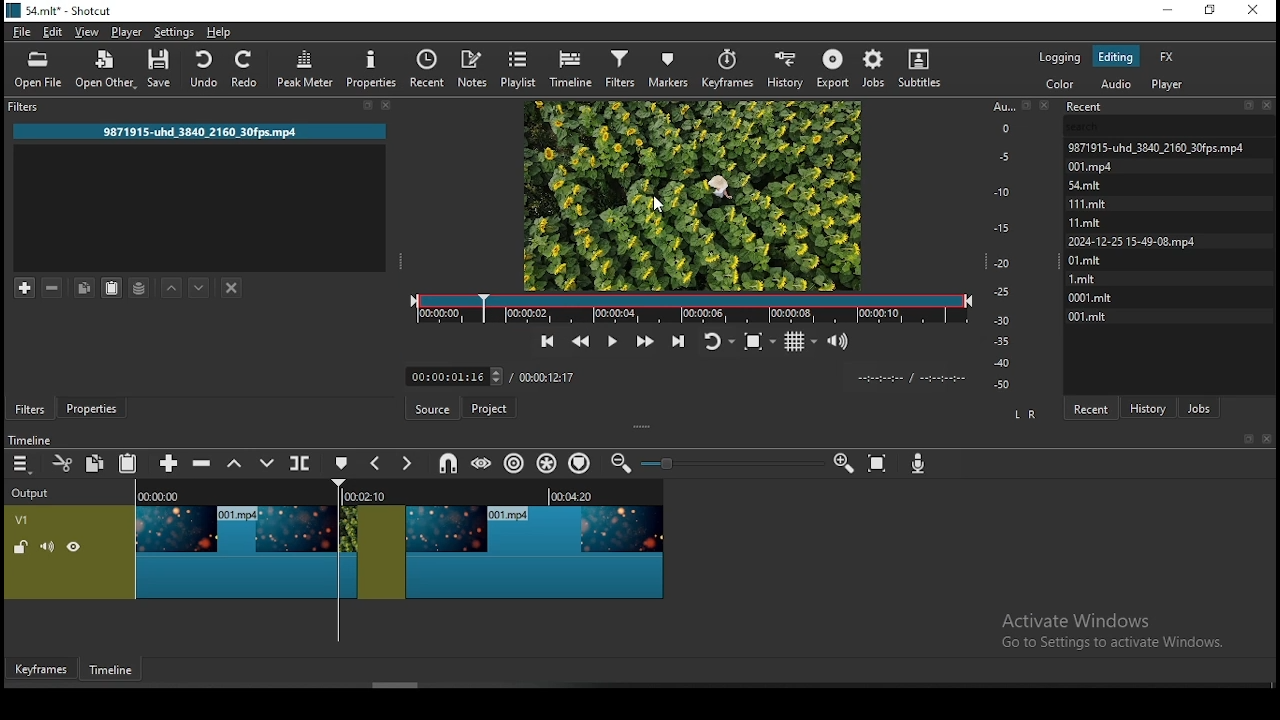 The width and height of the screenshot is (1280, 720). Describe the element at coordinates (22, 547) in the screenshot. I see `(un)locked` at that location.